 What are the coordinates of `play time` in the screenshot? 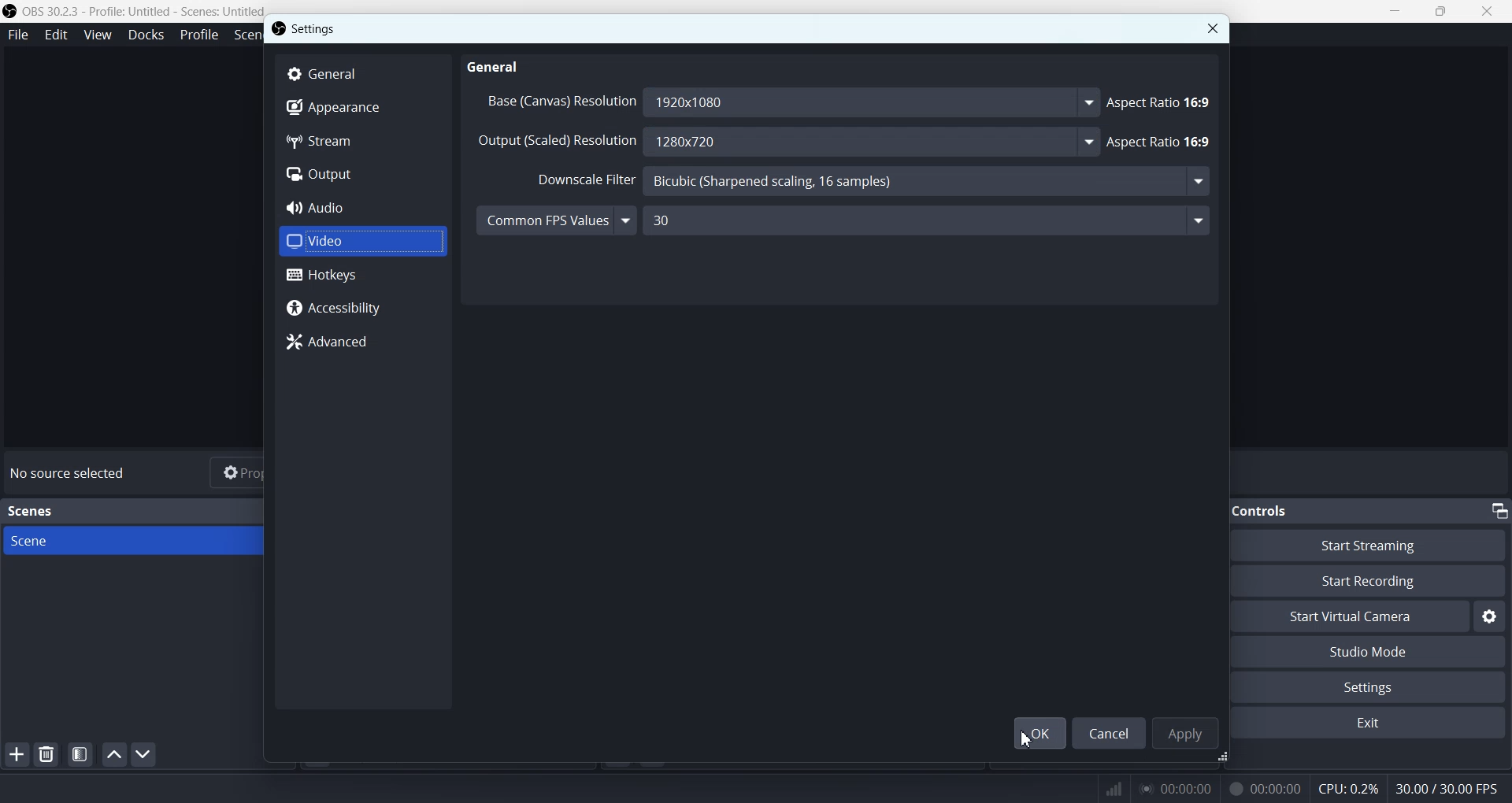 It's located at (1177, 788).